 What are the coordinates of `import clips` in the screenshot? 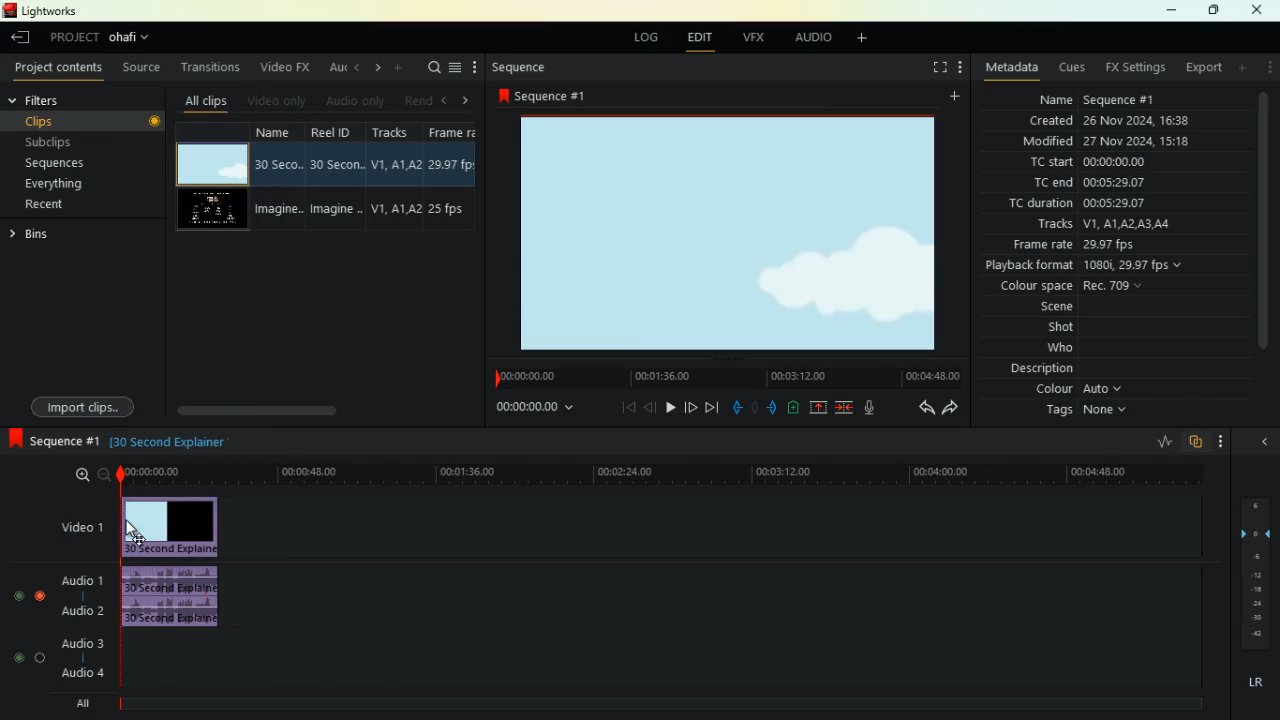 It's located at (79, 401).